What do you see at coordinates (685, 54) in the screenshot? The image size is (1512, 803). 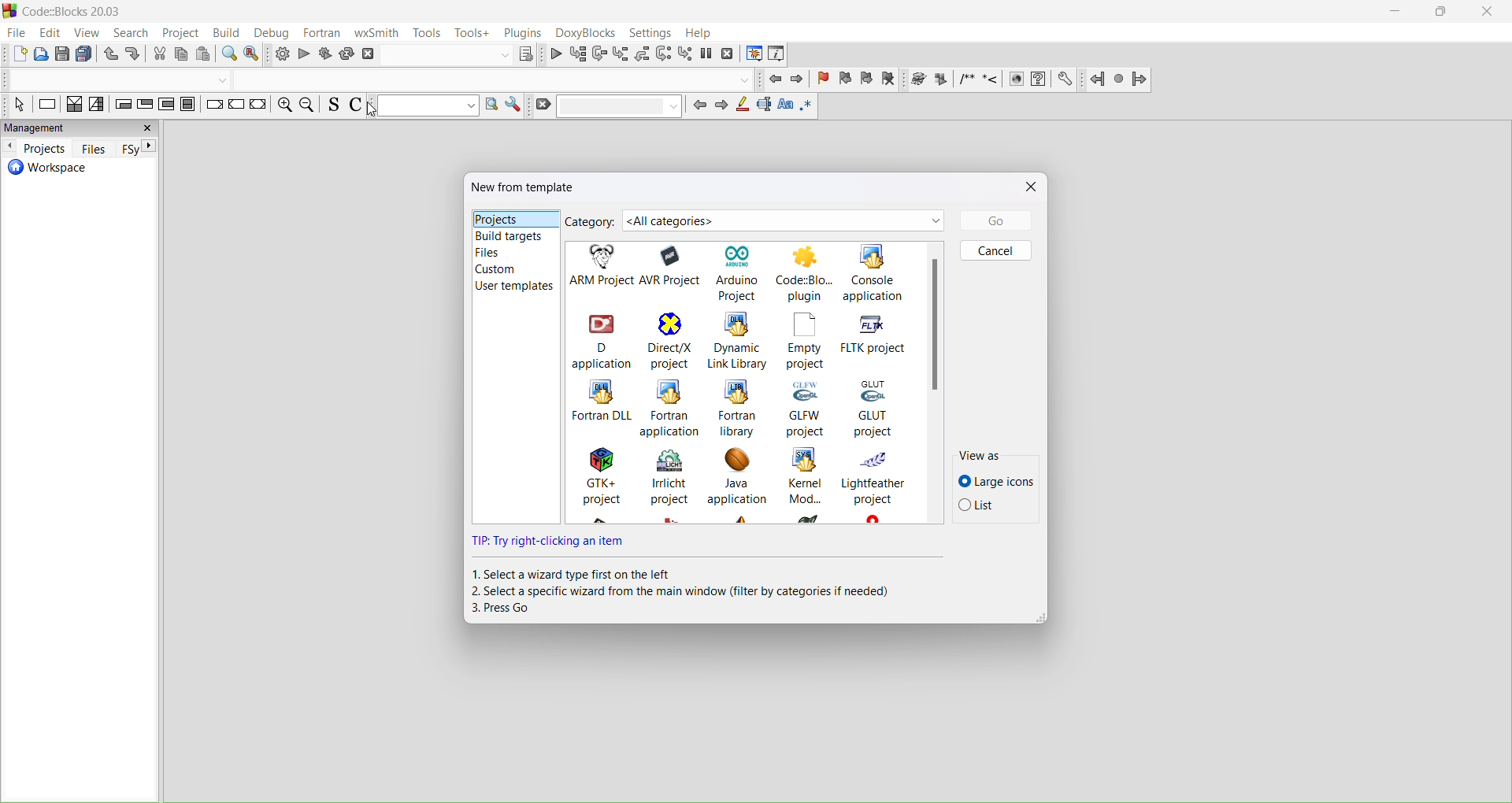 I see `step into instructions` at bounding box center [685, 54].